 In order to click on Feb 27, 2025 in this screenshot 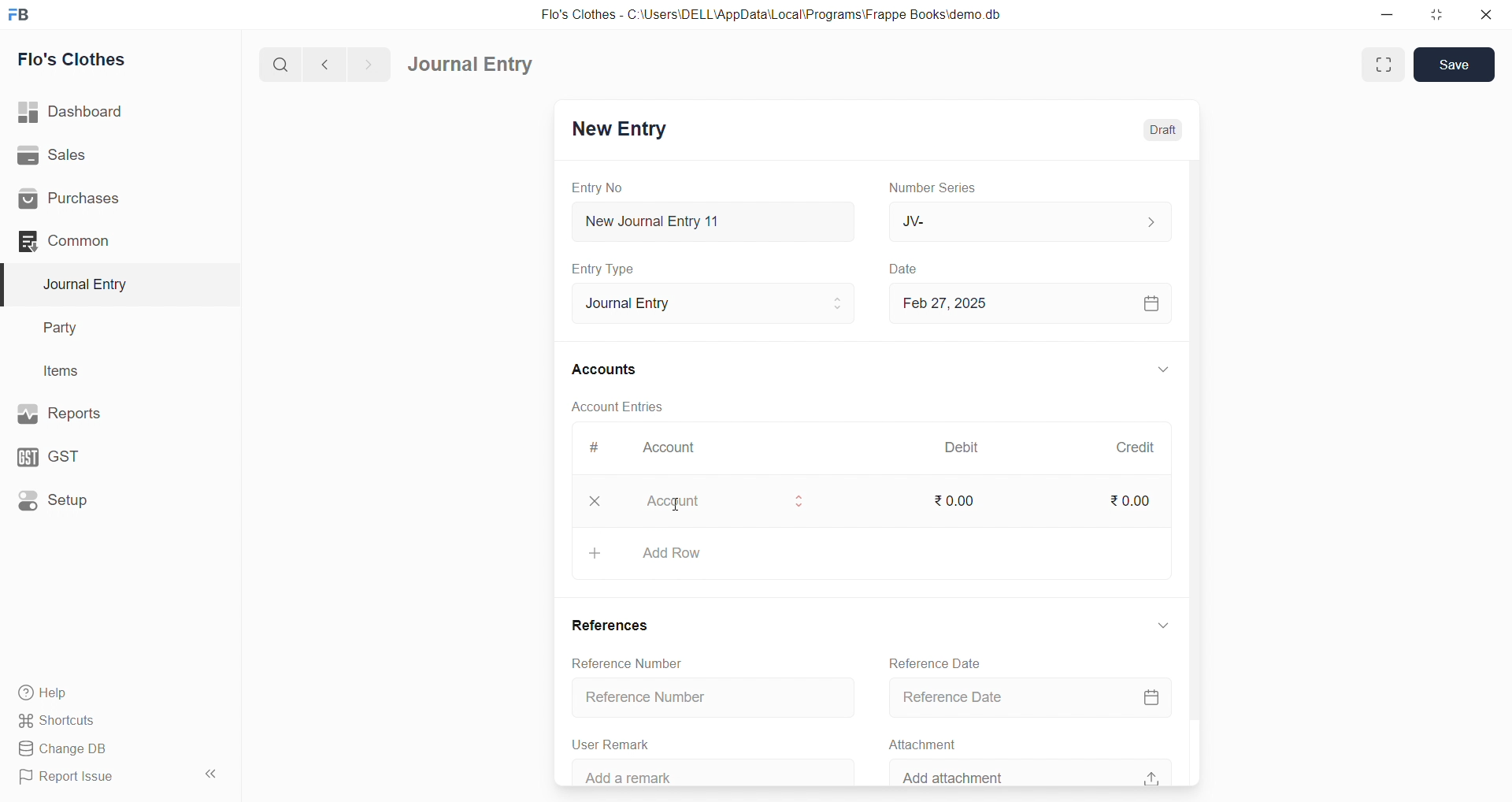, I will do `click(1028, 303)`.